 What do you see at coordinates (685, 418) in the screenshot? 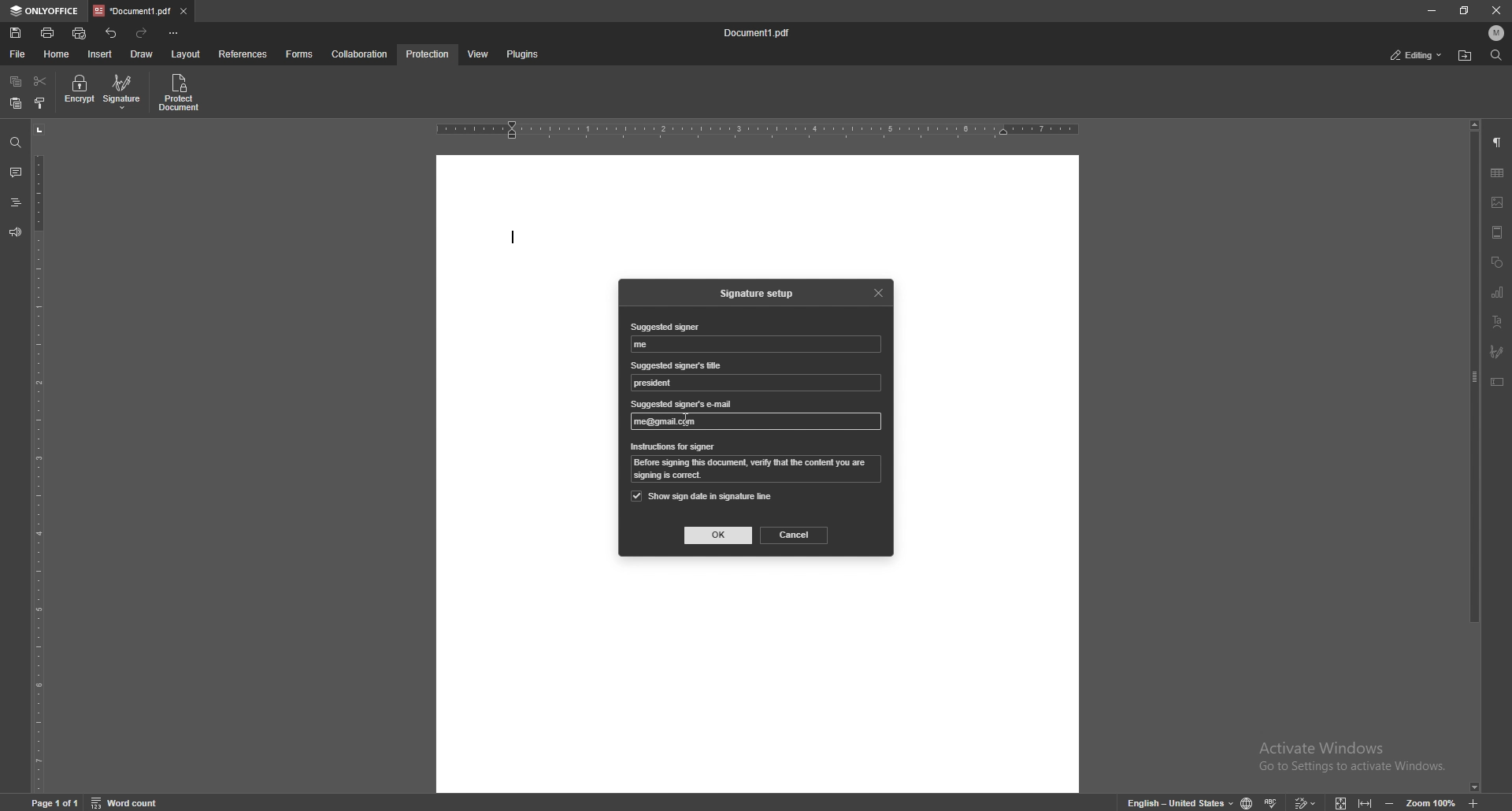
I see `cursor` at bounding box center [685, 418].